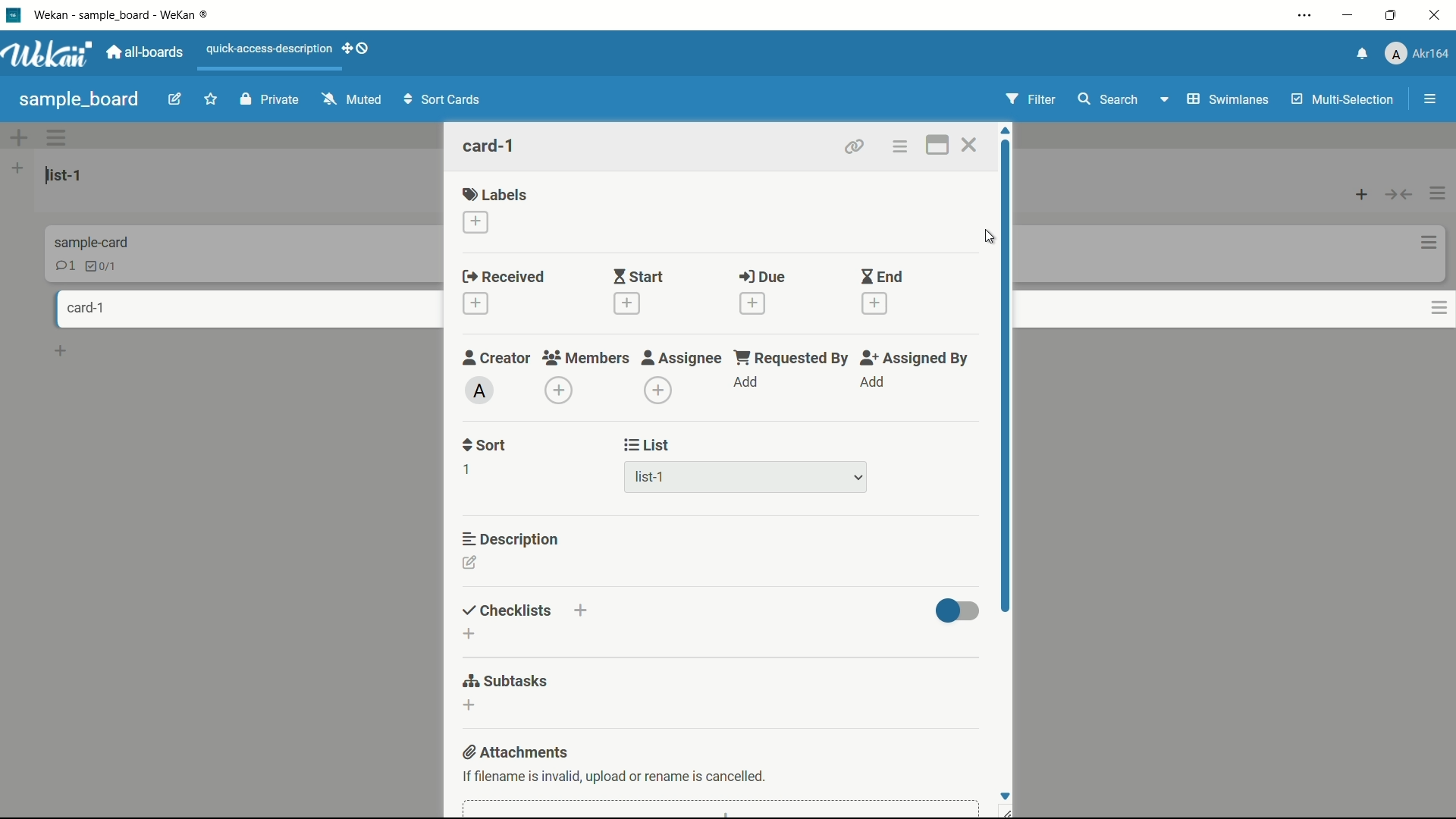 This screenshot has height=819, width=1456. I want to click on multi-selection, so click(1338, 99).